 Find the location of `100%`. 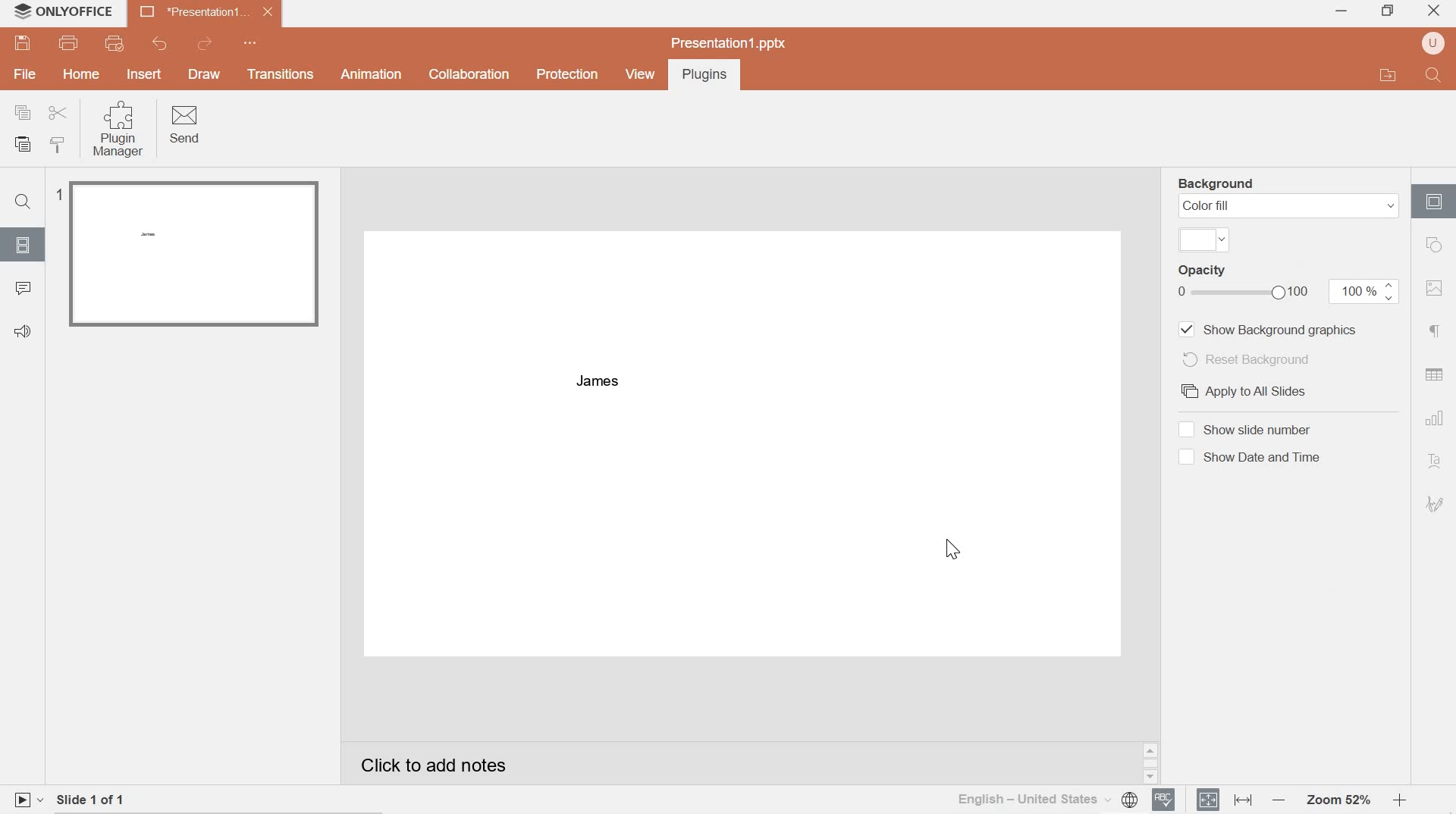

100% is located at coordinates (1363, 292).